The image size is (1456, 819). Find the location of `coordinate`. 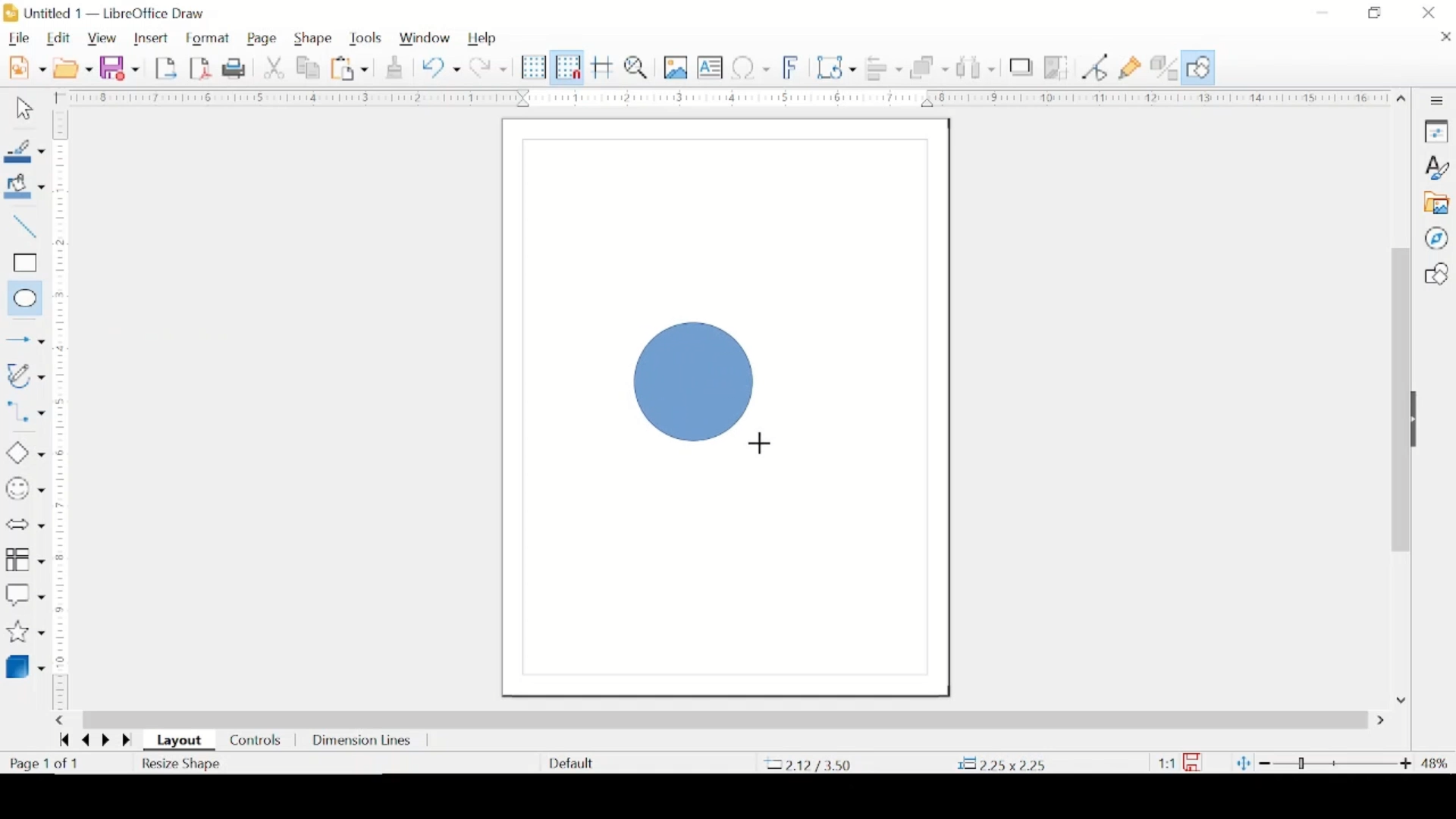

coordinate is located at coordinates (1005, 763).